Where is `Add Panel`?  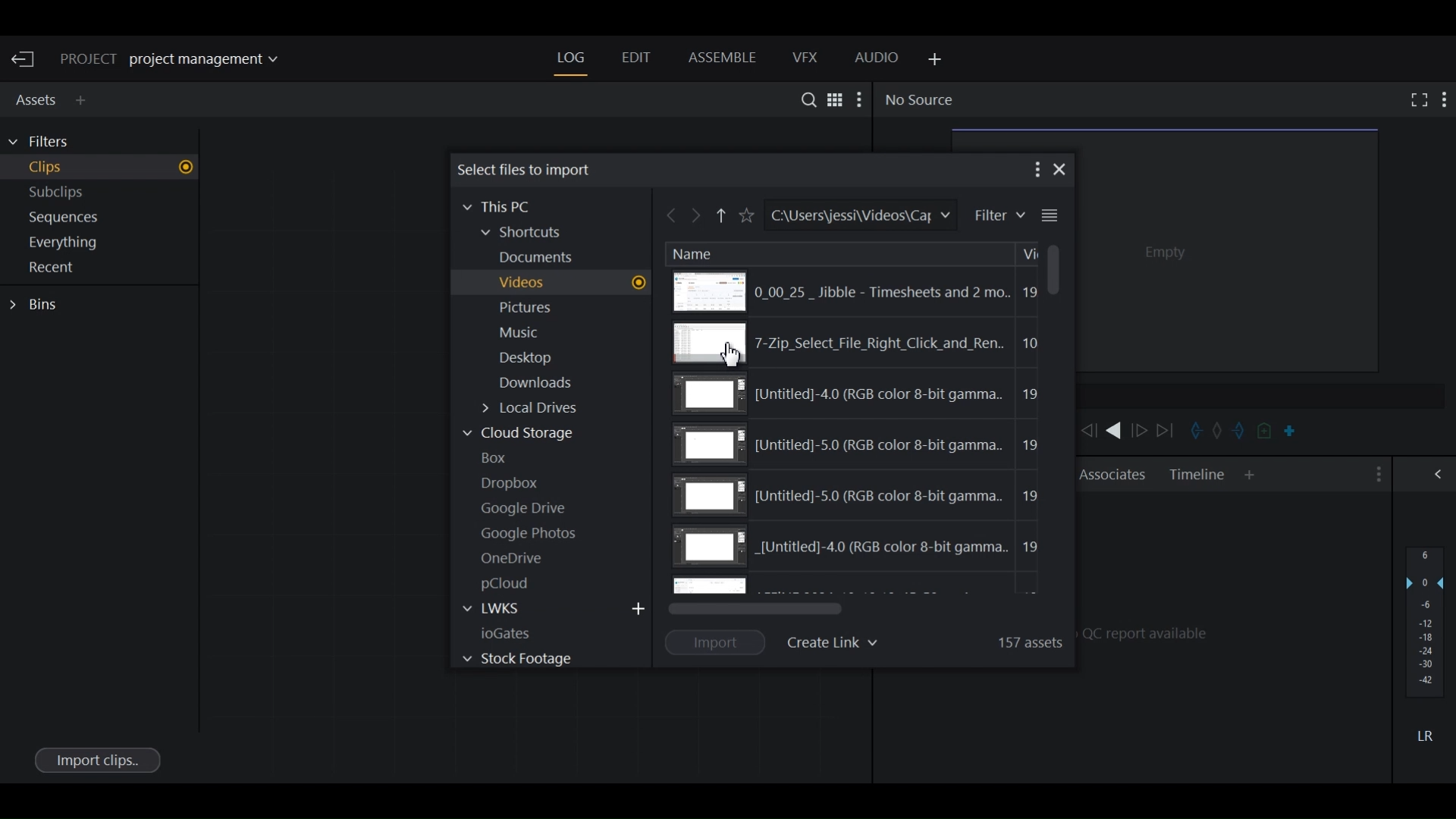 Add Panel is located at coordinates (932, 60).